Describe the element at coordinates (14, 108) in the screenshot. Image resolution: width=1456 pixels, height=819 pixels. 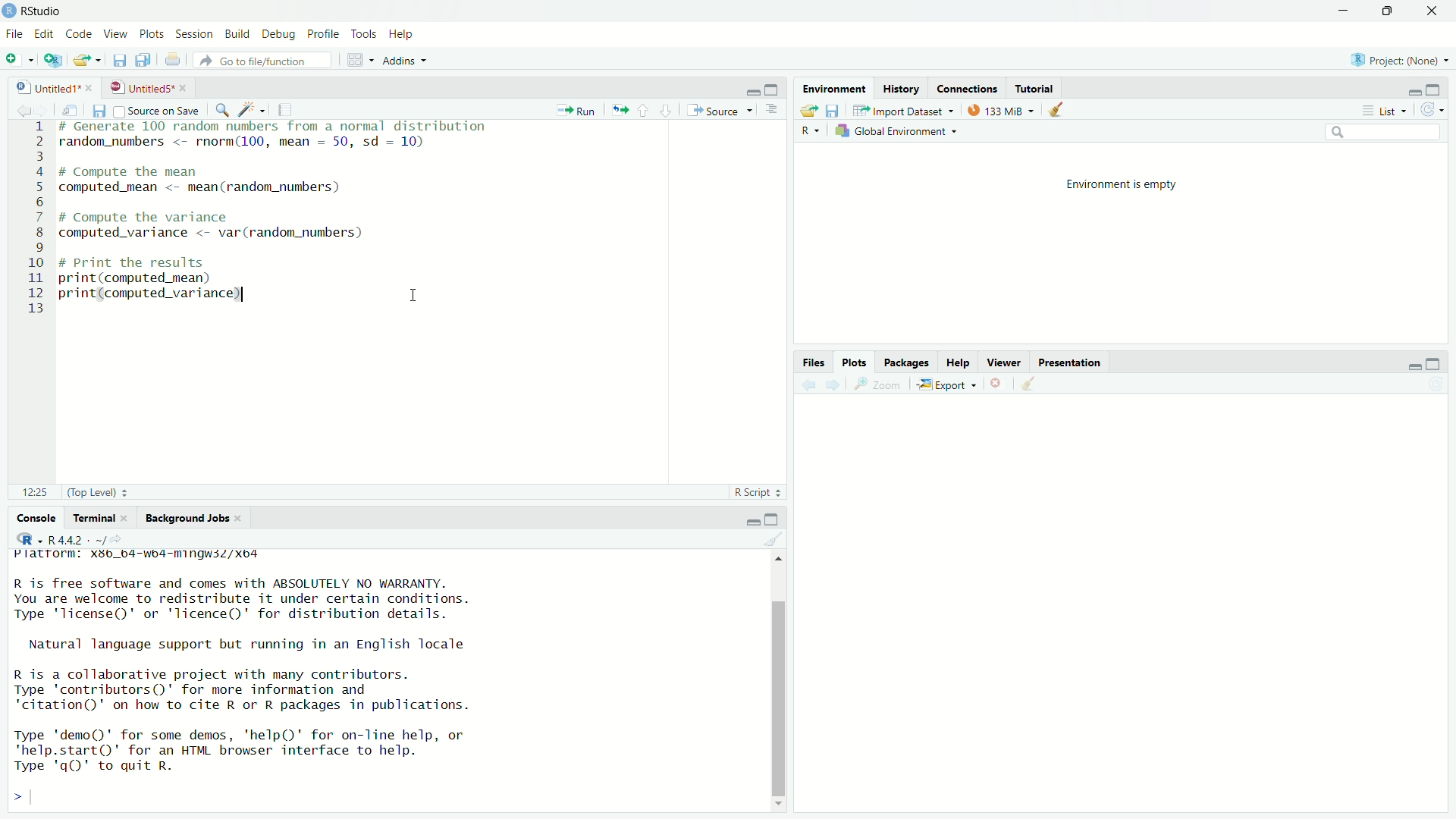
I see `go back to the previous source location` at that location.